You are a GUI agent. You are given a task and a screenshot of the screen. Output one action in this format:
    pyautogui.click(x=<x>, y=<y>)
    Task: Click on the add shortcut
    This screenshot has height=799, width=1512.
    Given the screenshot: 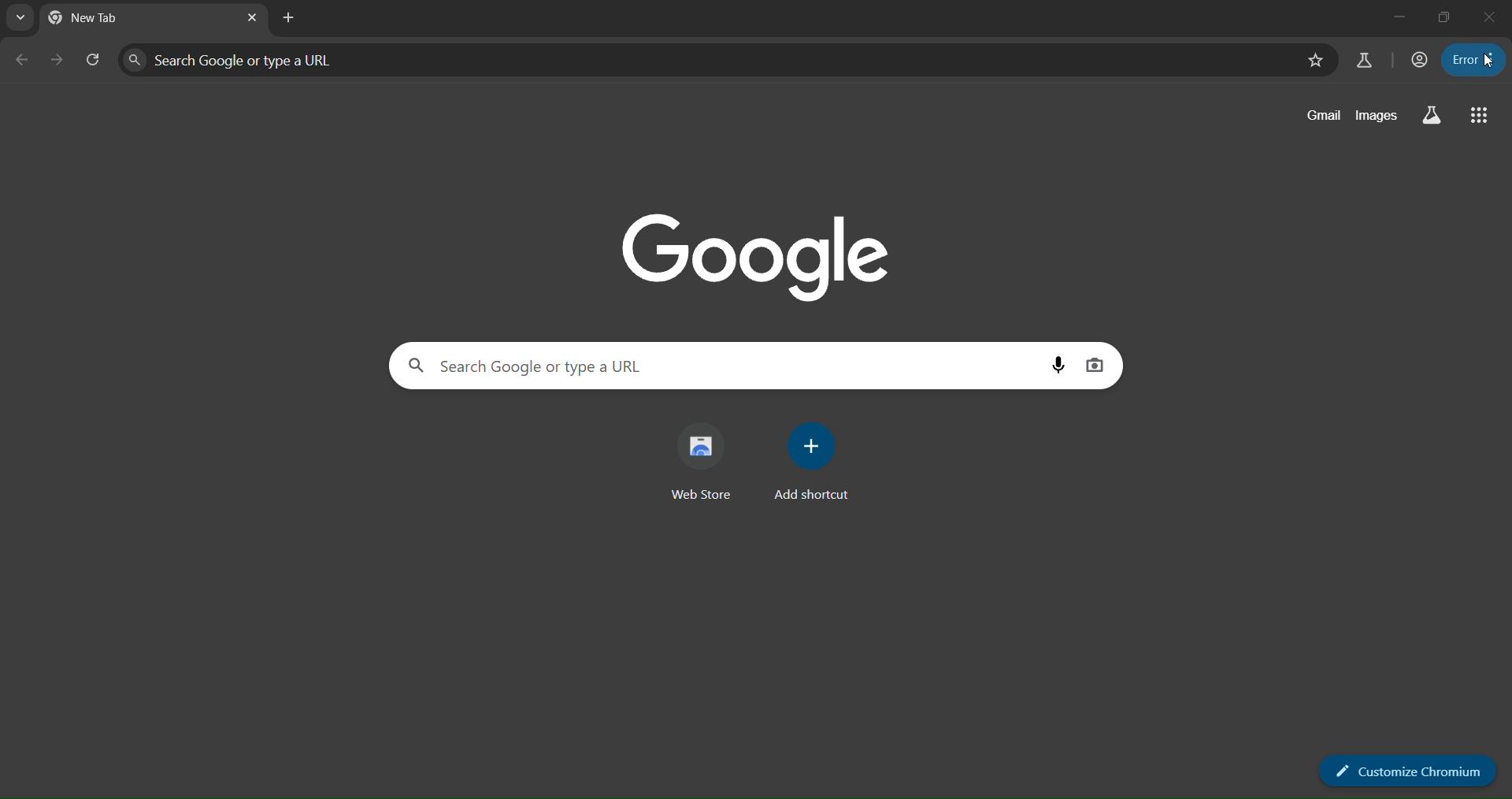 What is the action you would take?
    pyautogui.click(x=810, y=460)
    